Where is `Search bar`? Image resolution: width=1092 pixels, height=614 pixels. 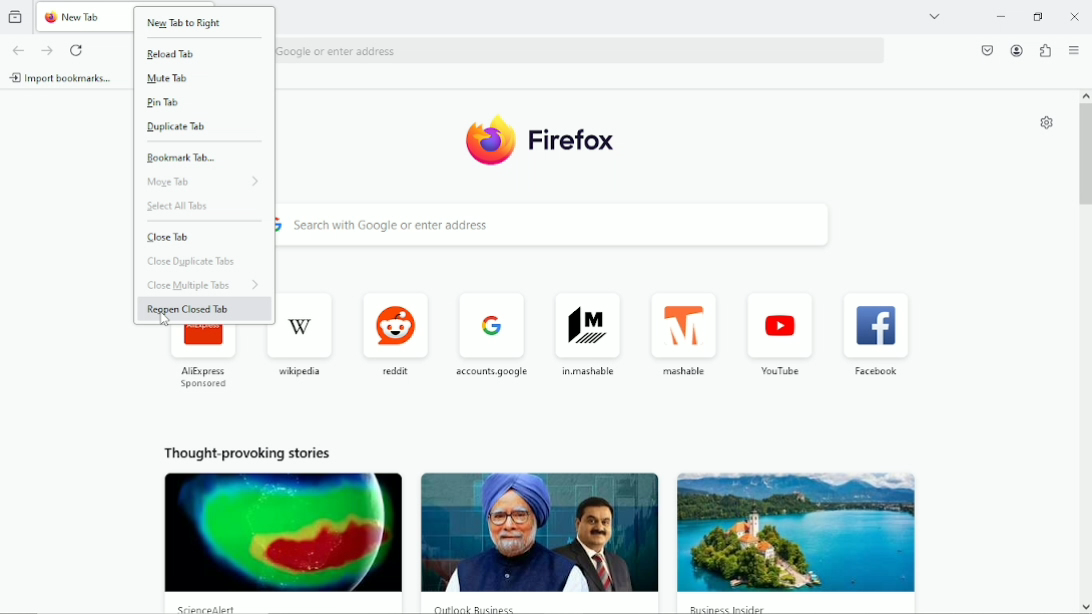
Search bar is located at coordinates (580, 50).